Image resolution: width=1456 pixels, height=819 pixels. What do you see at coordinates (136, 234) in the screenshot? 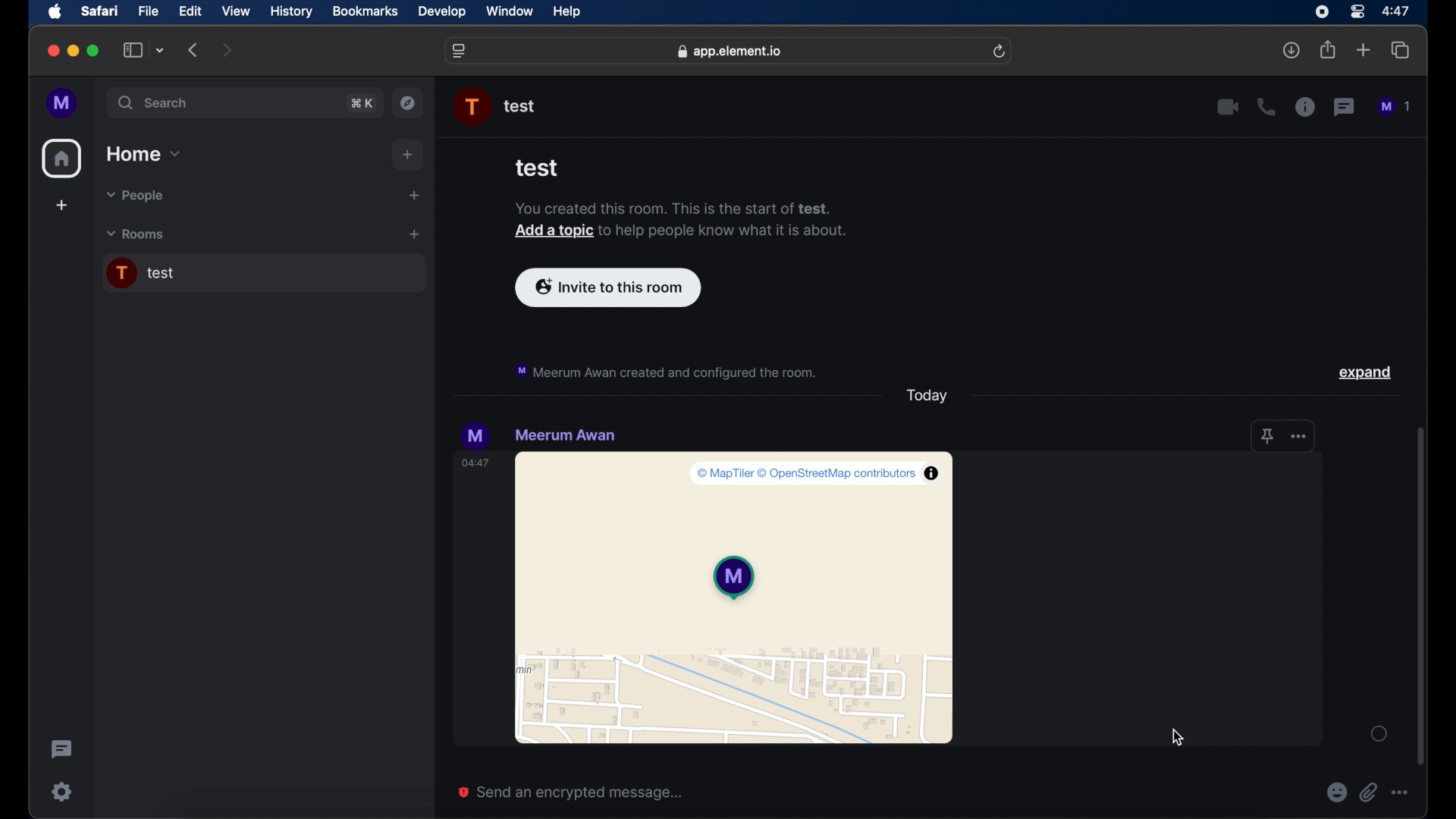
I see `rooms dropdown` at bounding box center [136, 234].